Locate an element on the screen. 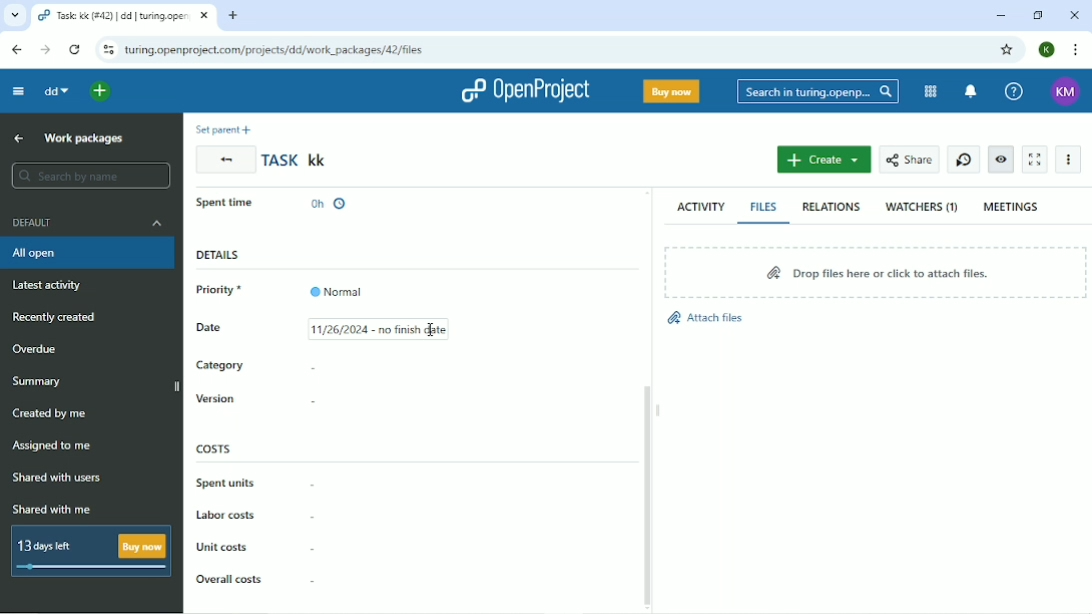 The width and height of the screenshot is (1092, 614). Details is located at coordinates (218, 256).